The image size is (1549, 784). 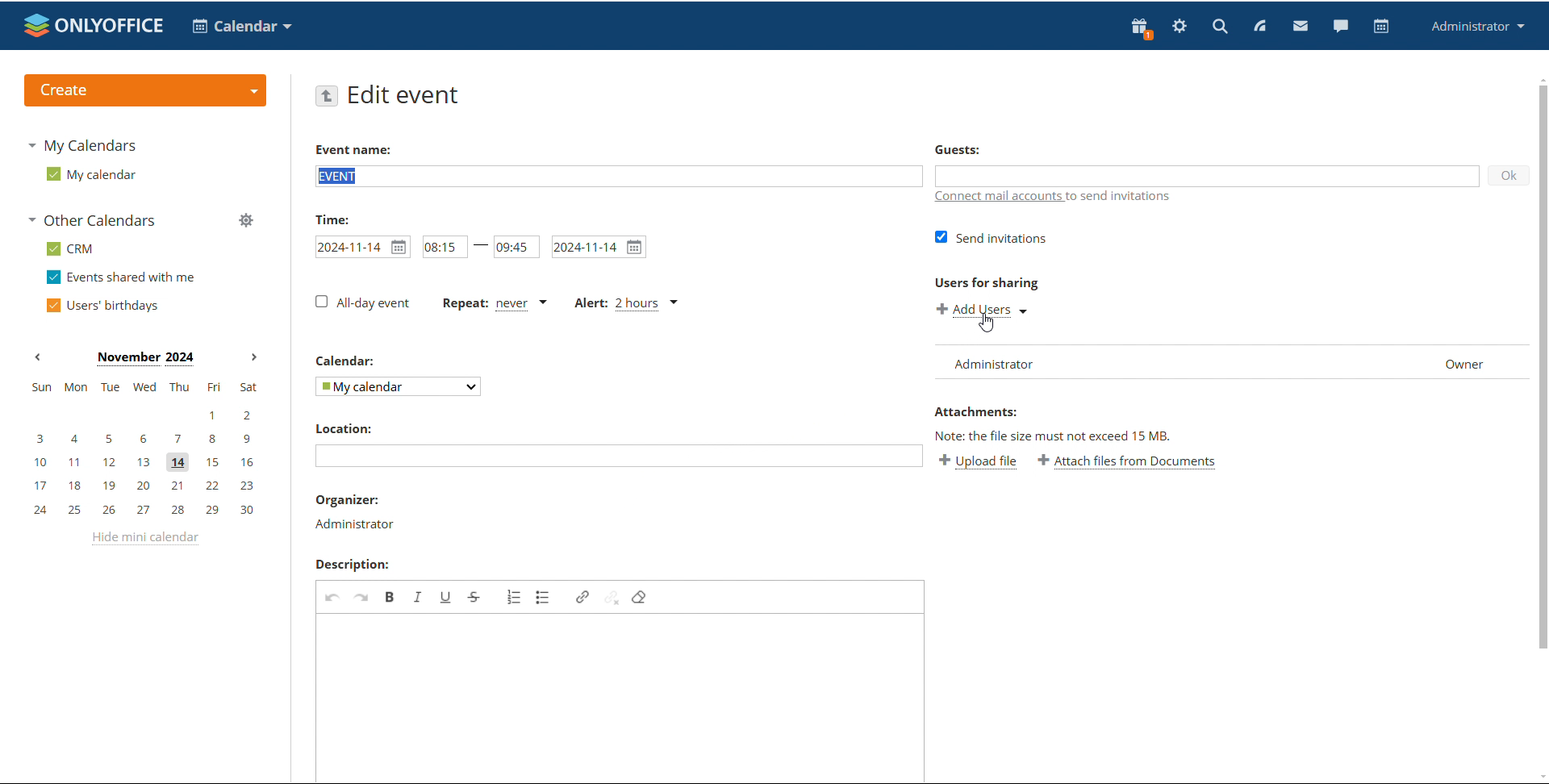 I want to click on organizer, so click(x=357, y=525).